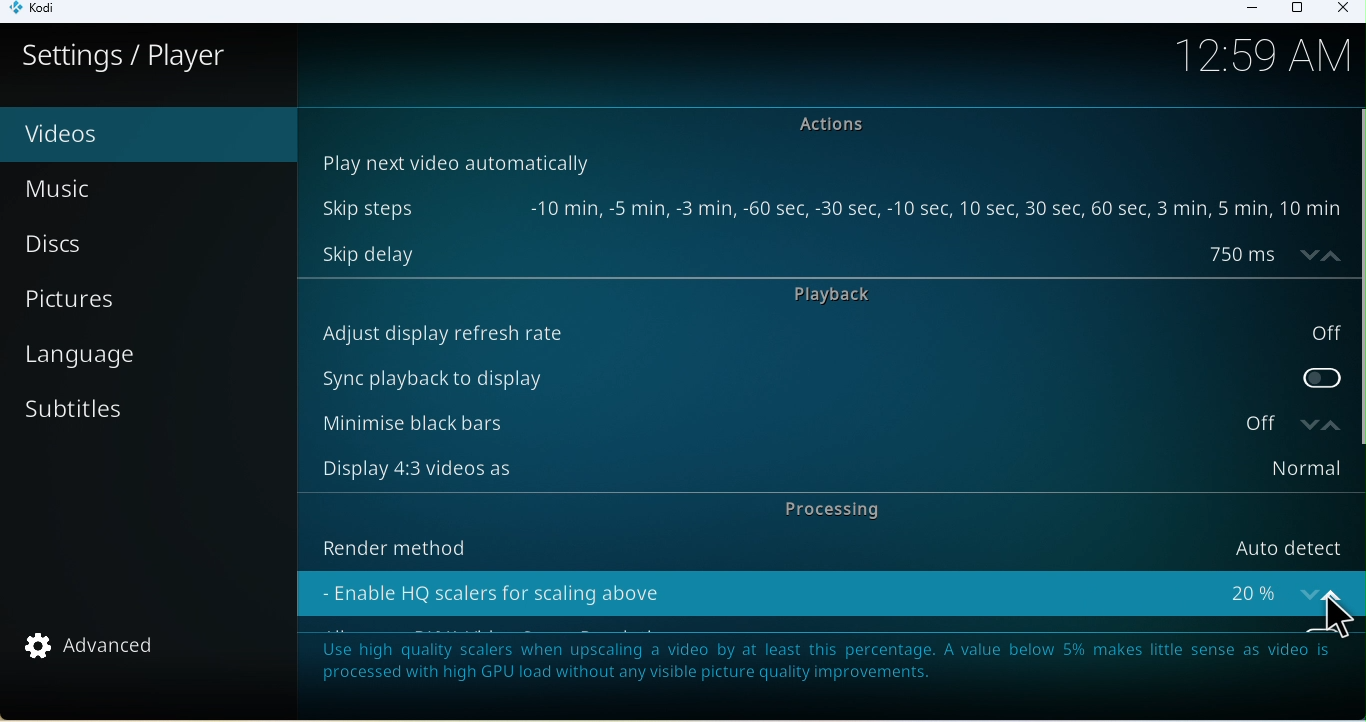  I want to click on Pictures, so click(152, 298).